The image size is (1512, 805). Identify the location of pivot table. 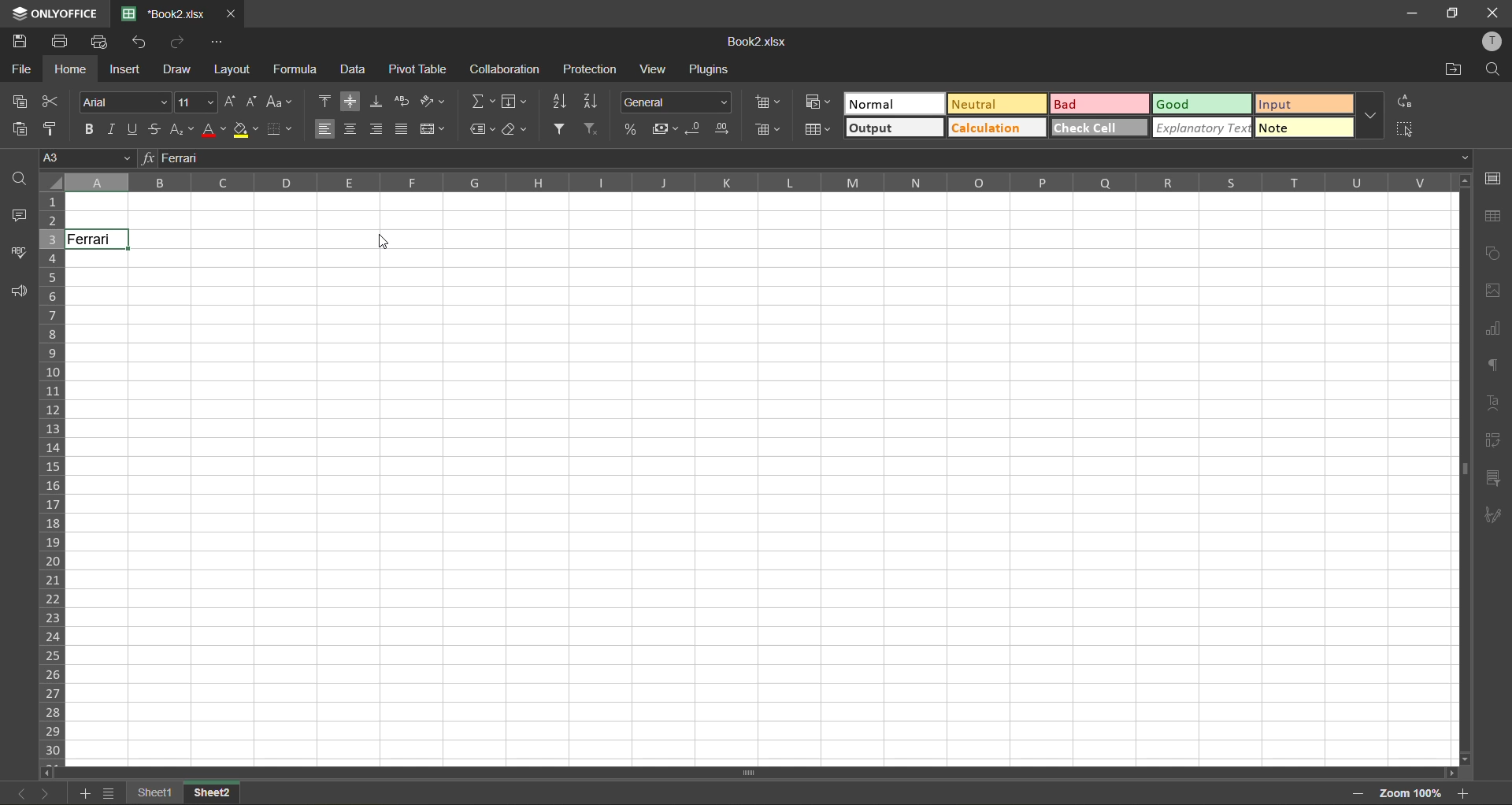
(1496, 440).